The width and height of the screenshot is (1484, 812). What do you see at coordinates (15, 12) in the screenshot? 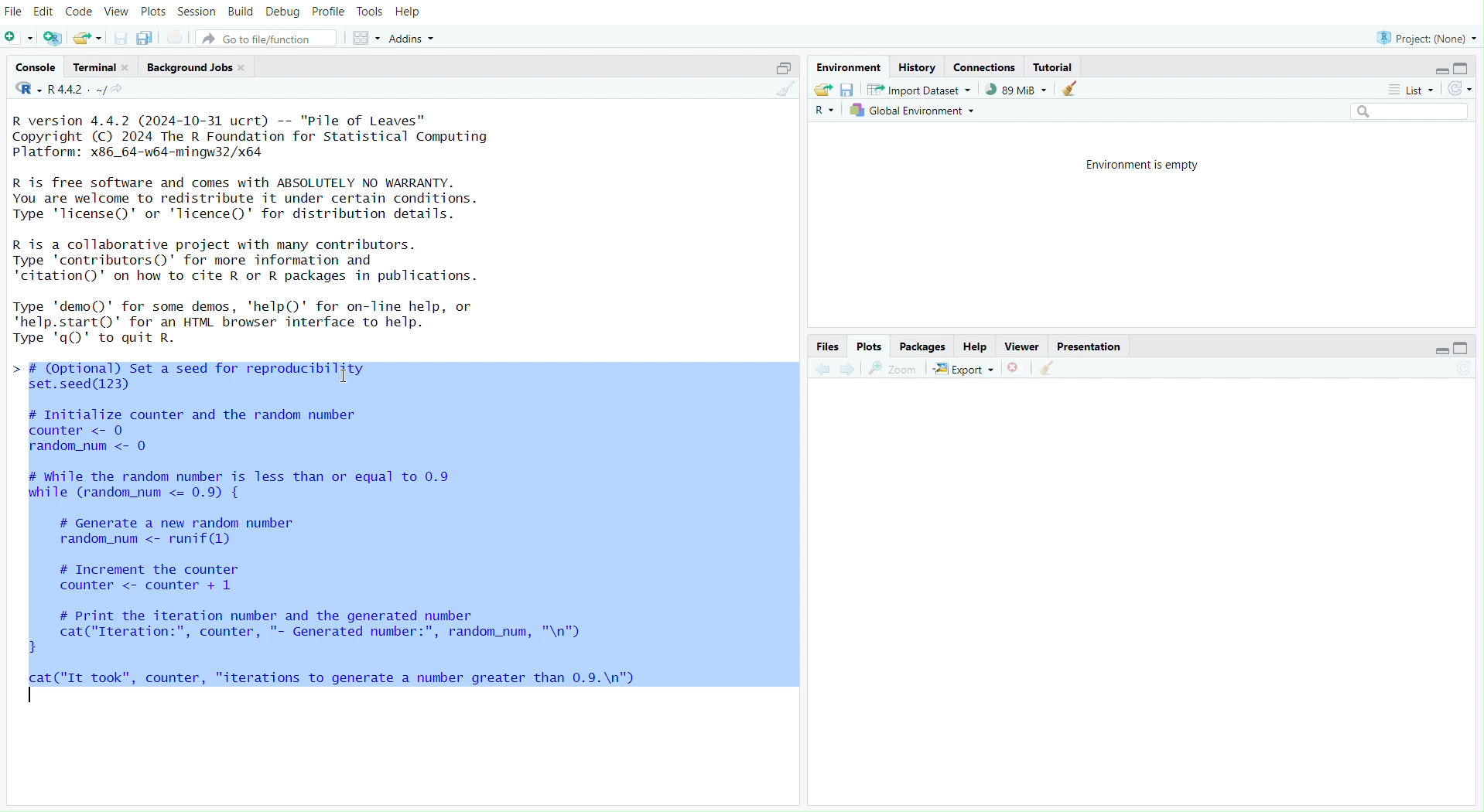
I see `File` at bounding box center [15, 12].